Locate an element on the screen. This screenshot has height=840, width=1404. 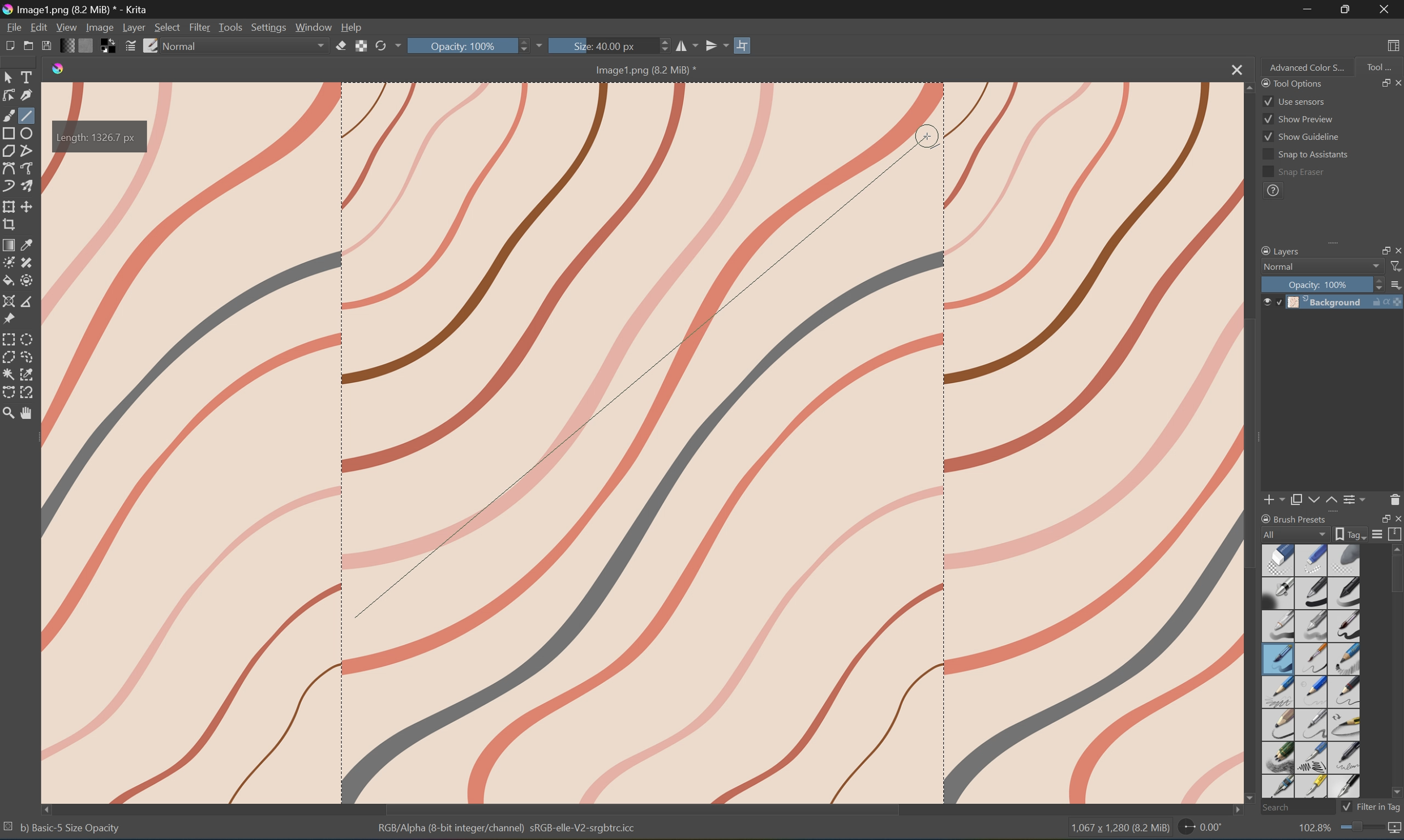
Dynamic brush tool is located at coordinates (9, 186).